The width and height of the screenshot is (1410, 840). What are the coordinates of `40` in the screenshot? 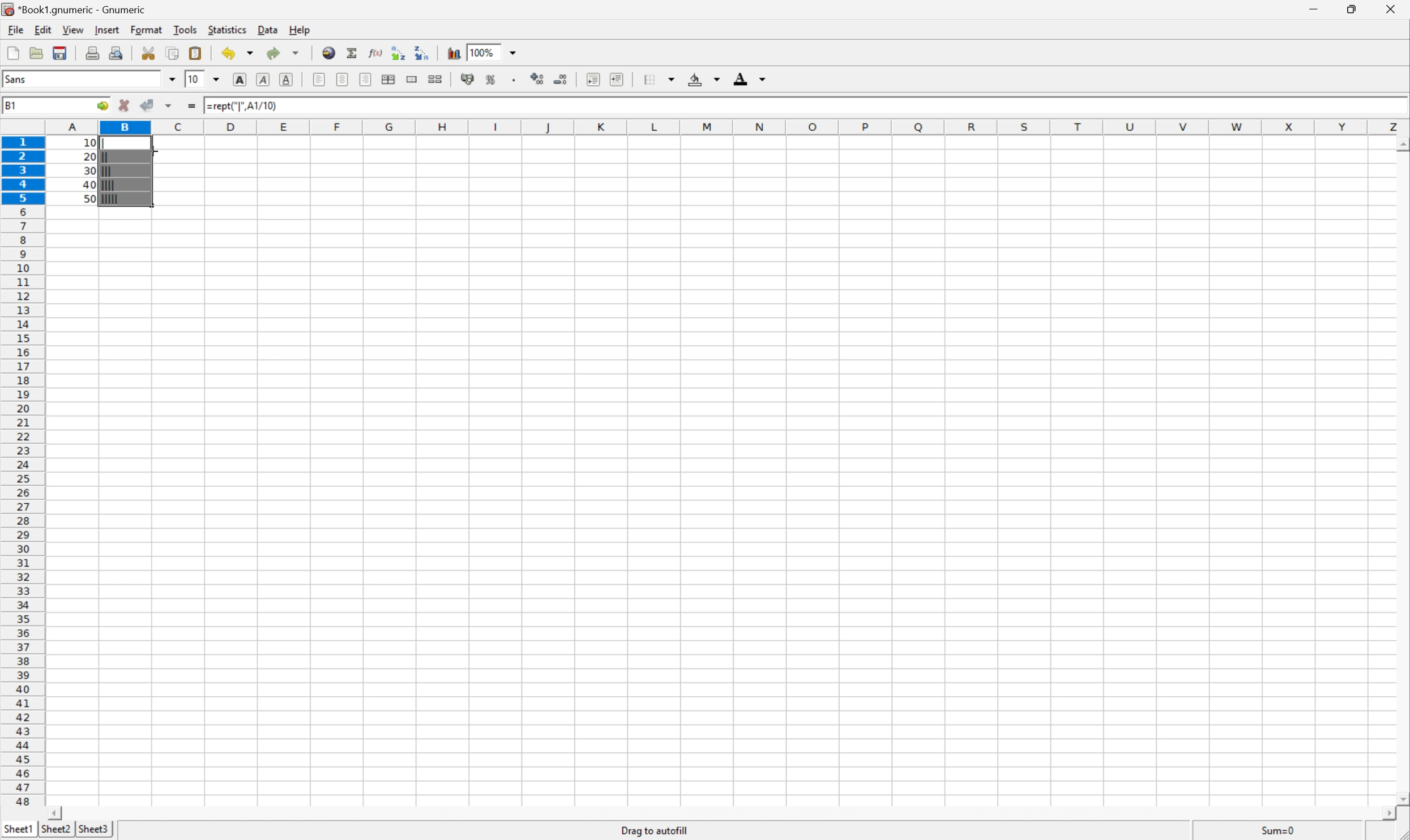 It's located at (89, 184).